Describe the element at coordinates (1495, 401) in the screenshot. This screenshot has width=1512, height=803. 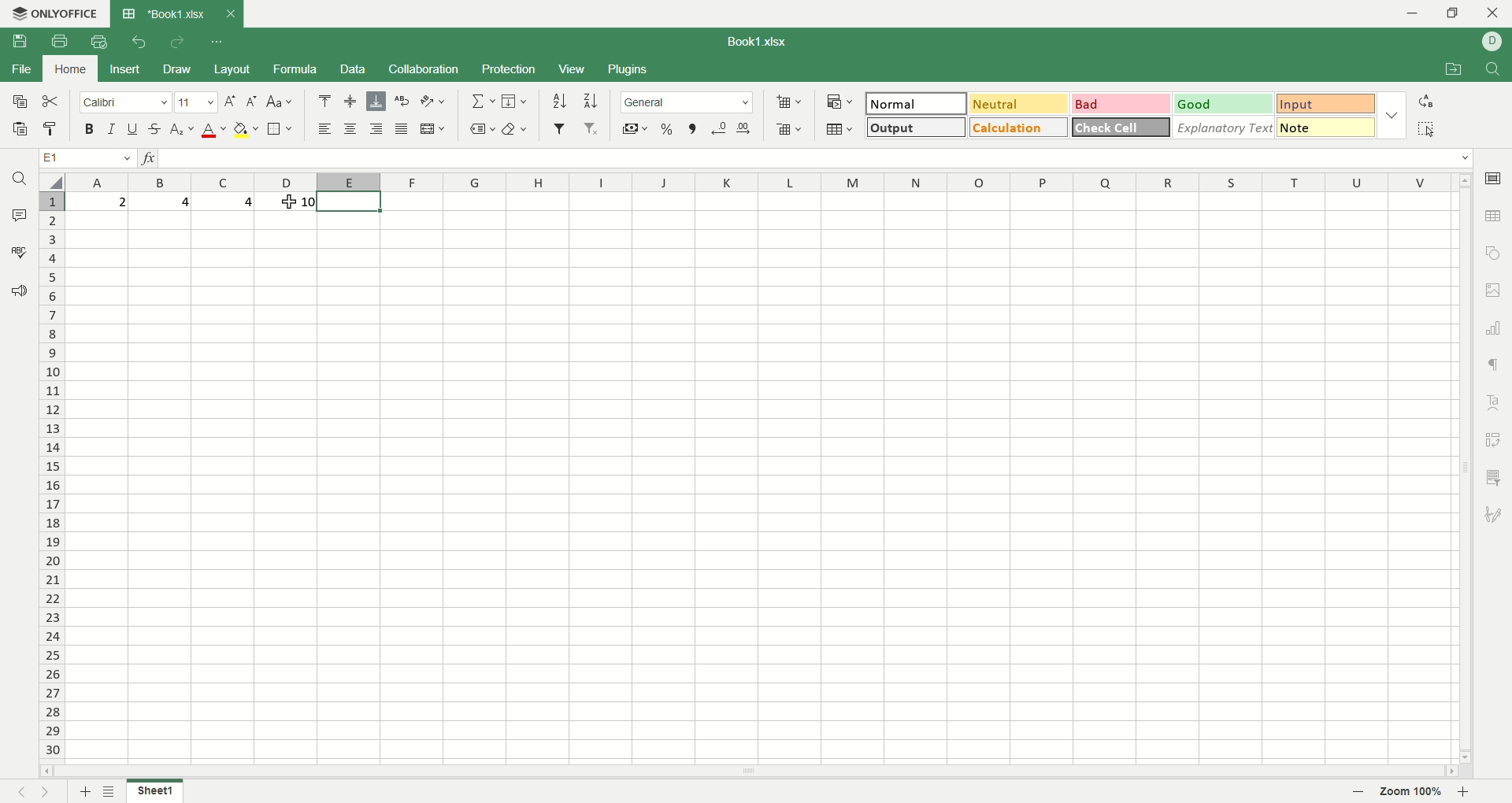
I see `text art settings` at that location.